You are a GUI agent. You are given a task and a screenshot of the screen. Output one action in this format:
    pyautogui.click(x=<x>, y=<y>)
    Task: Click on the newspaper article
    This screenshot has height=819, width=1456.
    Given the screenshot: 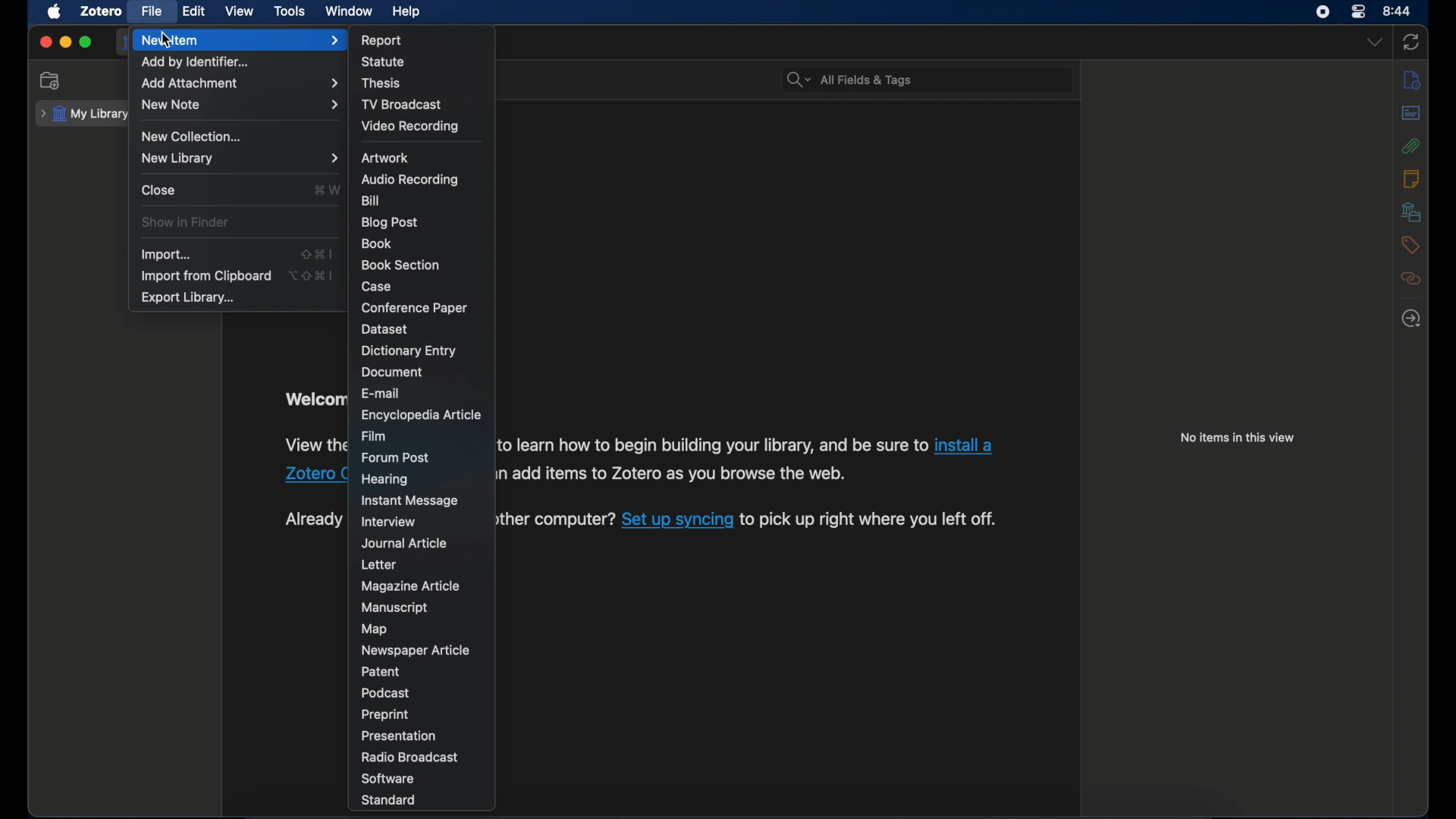 What is the action you would take?
    pyautogui.click(x=415, y=649)
    